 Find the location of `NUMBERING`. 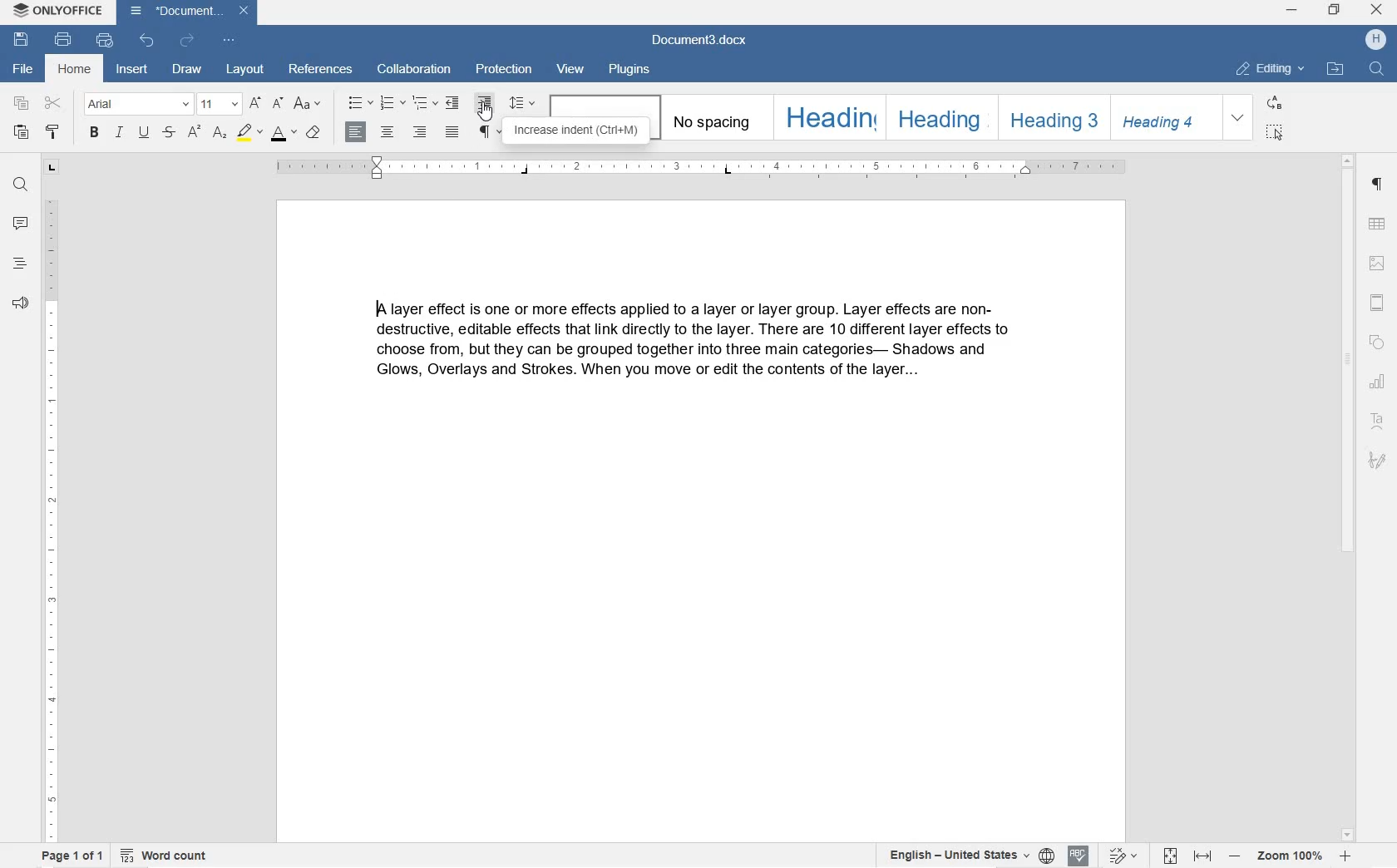

NUMBERING is located at coordinates (393, 102).